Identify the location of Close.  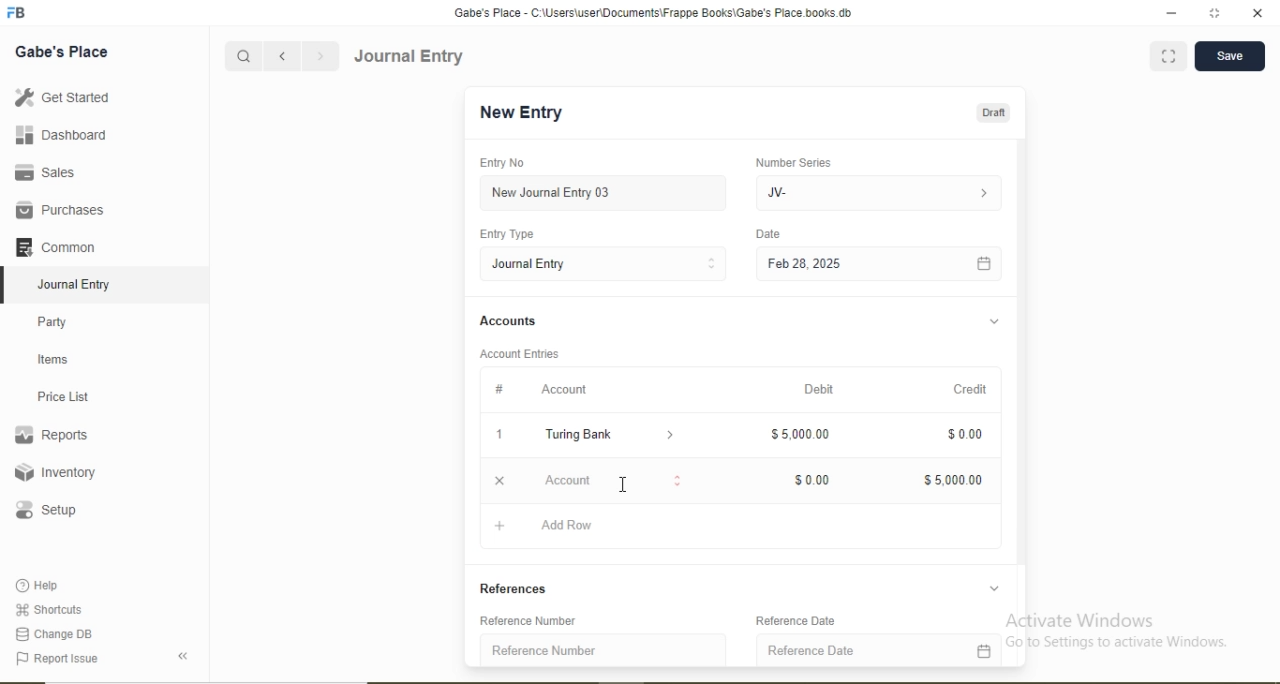
(500, 481).